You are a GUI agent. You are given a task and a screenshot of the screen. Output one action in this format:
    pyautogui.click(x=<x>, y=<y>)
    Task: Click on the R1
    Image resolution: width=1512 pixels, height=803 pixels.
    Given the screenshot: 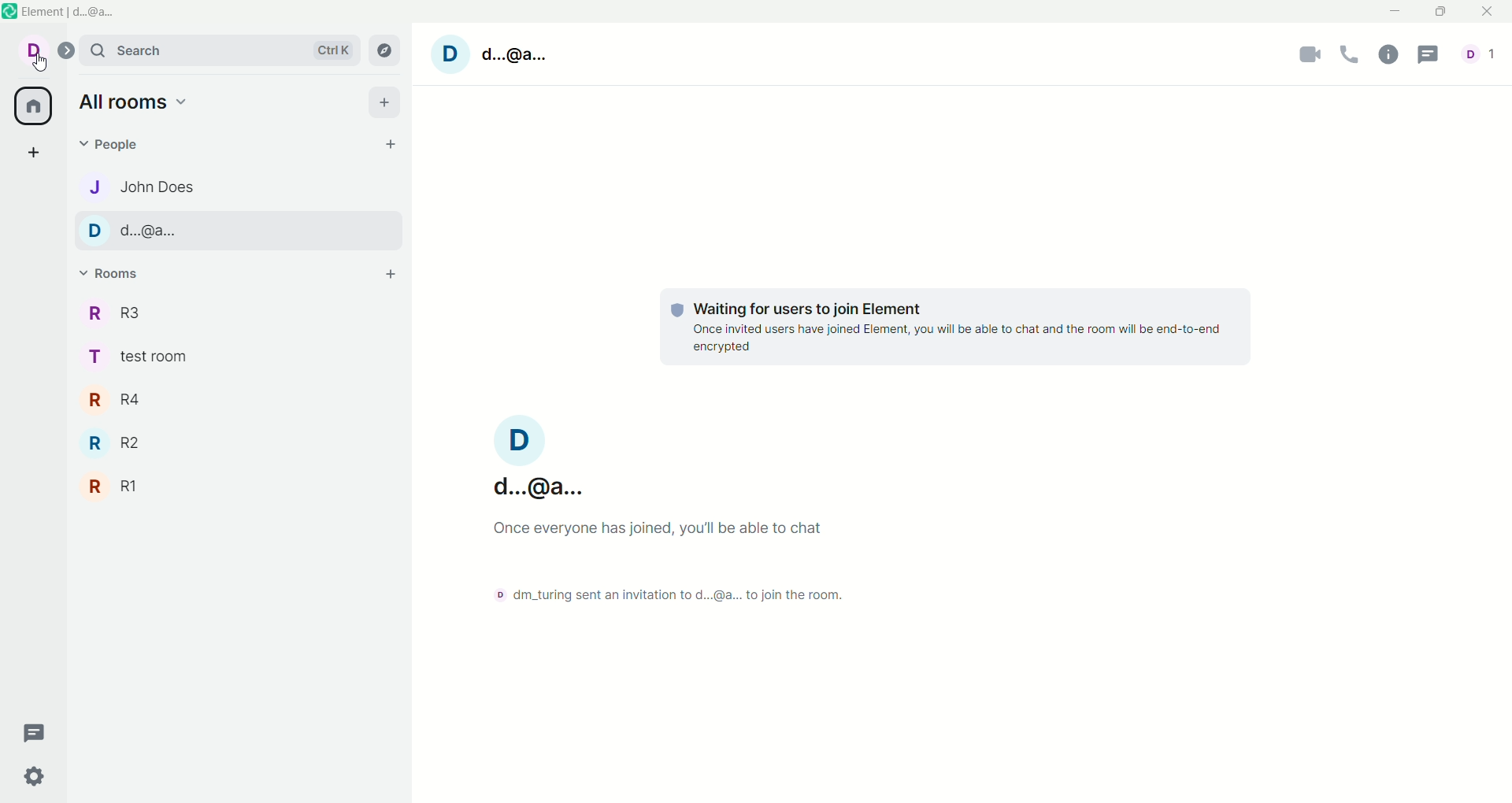 What is the action you would take?
    pyautogui.click(x=115, y=487)
    